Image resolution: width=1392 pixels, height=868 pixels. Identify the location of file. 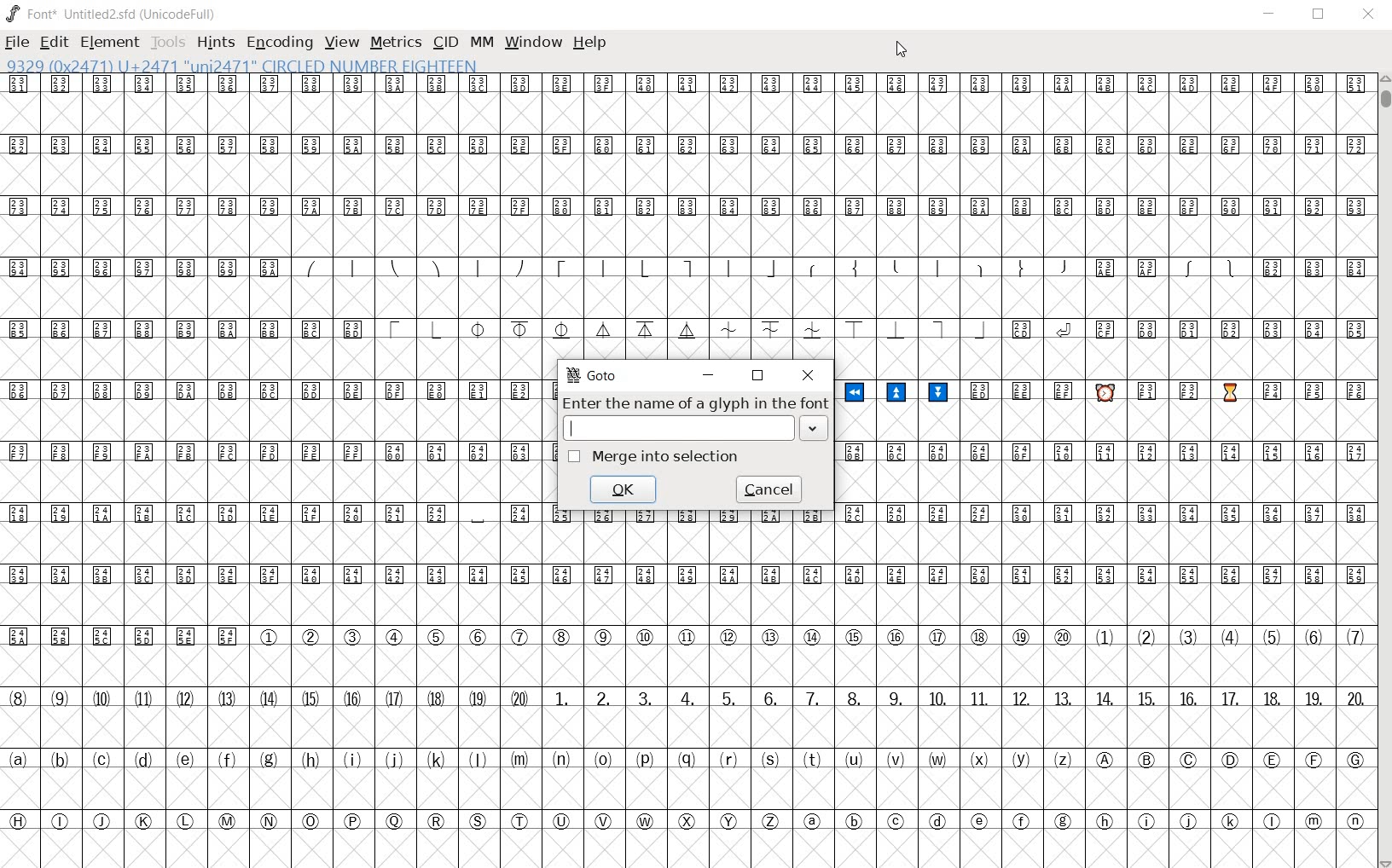
(17, 44).